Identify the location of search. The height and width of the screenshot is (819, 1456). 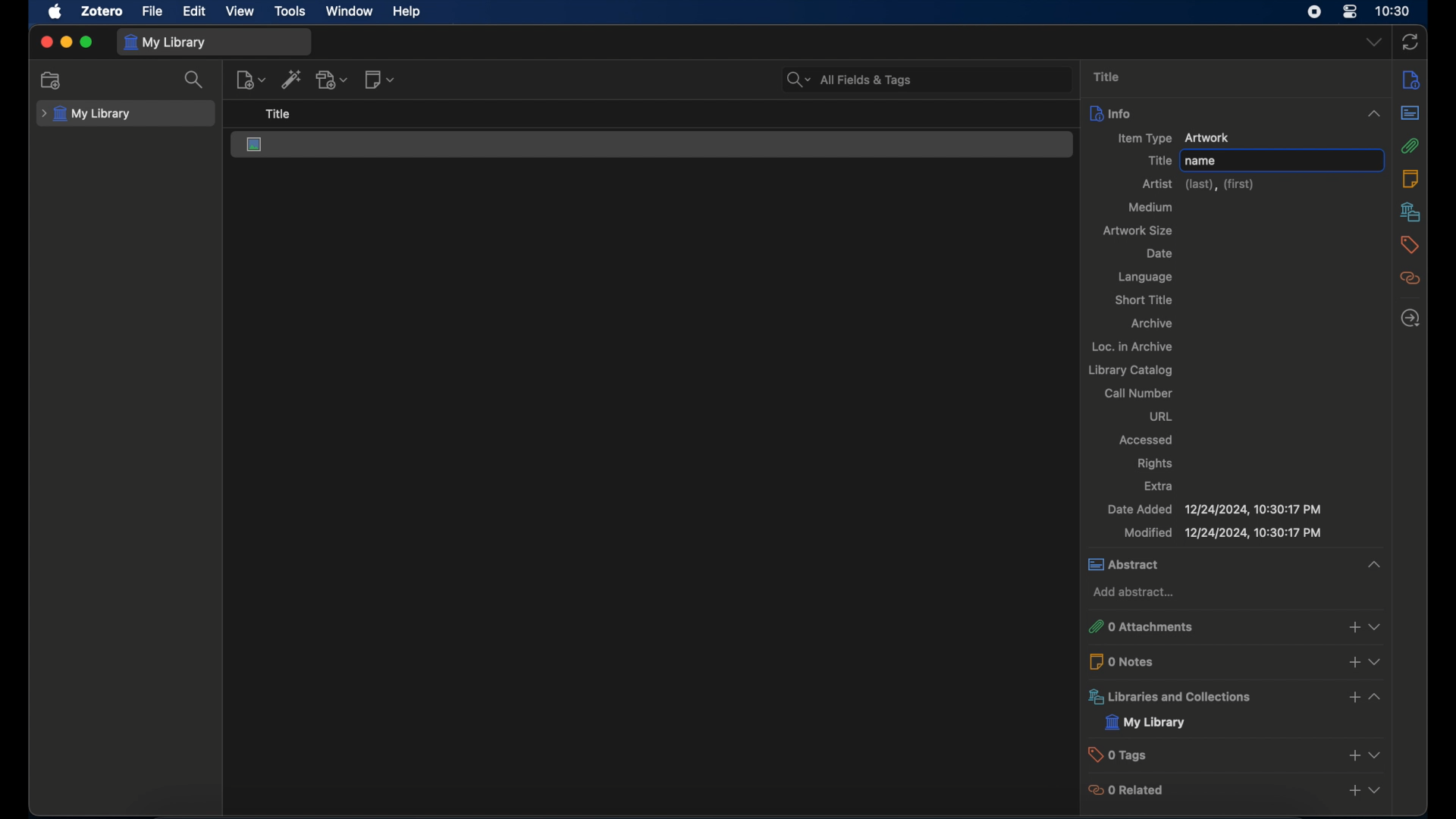
(194, 80).